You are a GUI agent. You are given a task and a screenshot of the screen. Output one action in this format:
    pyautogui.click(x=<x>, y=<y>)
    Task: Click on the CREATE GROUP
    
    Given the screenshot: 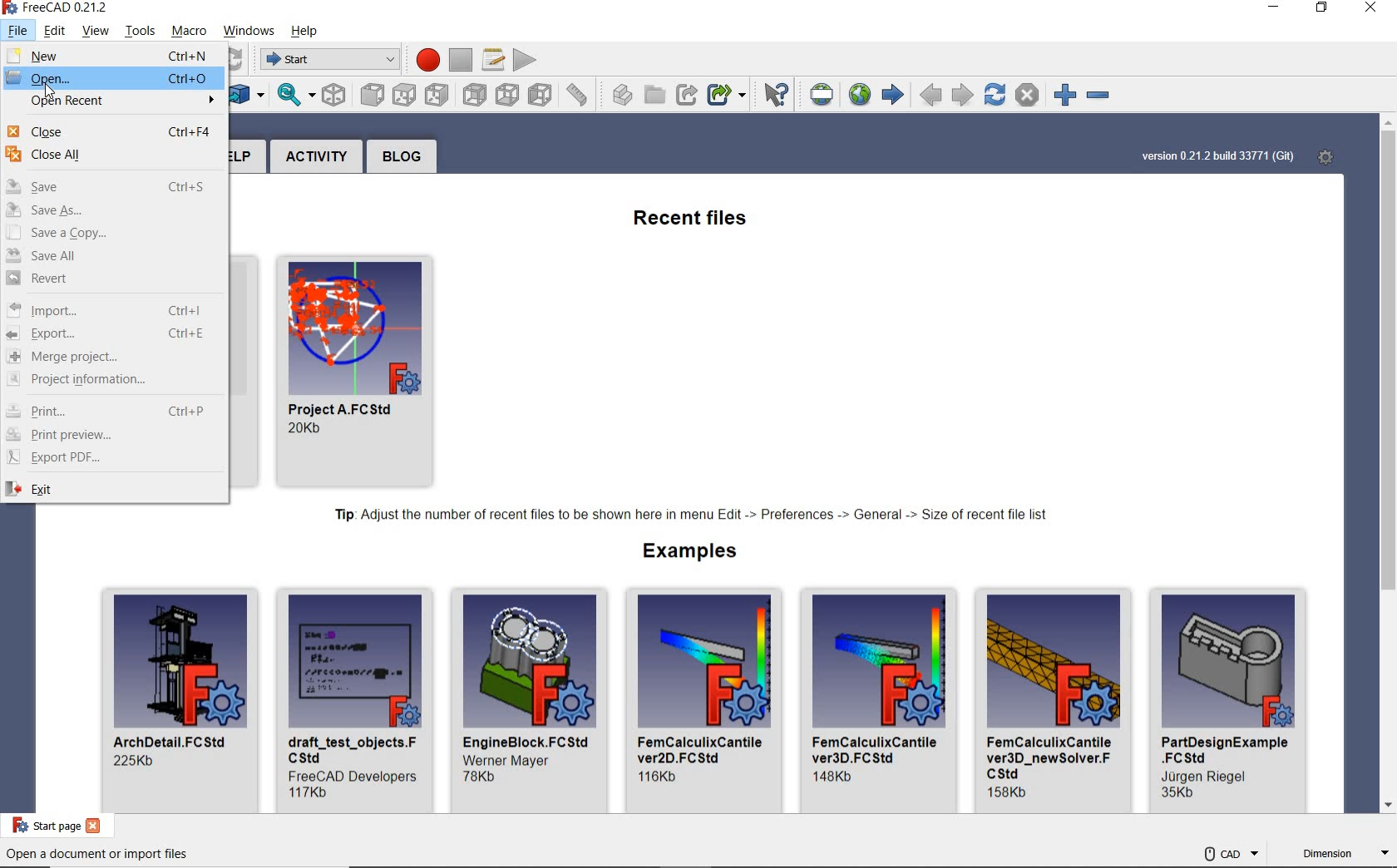 What is the action you would take?
    pyautogui.click(x=655, y=96)
    